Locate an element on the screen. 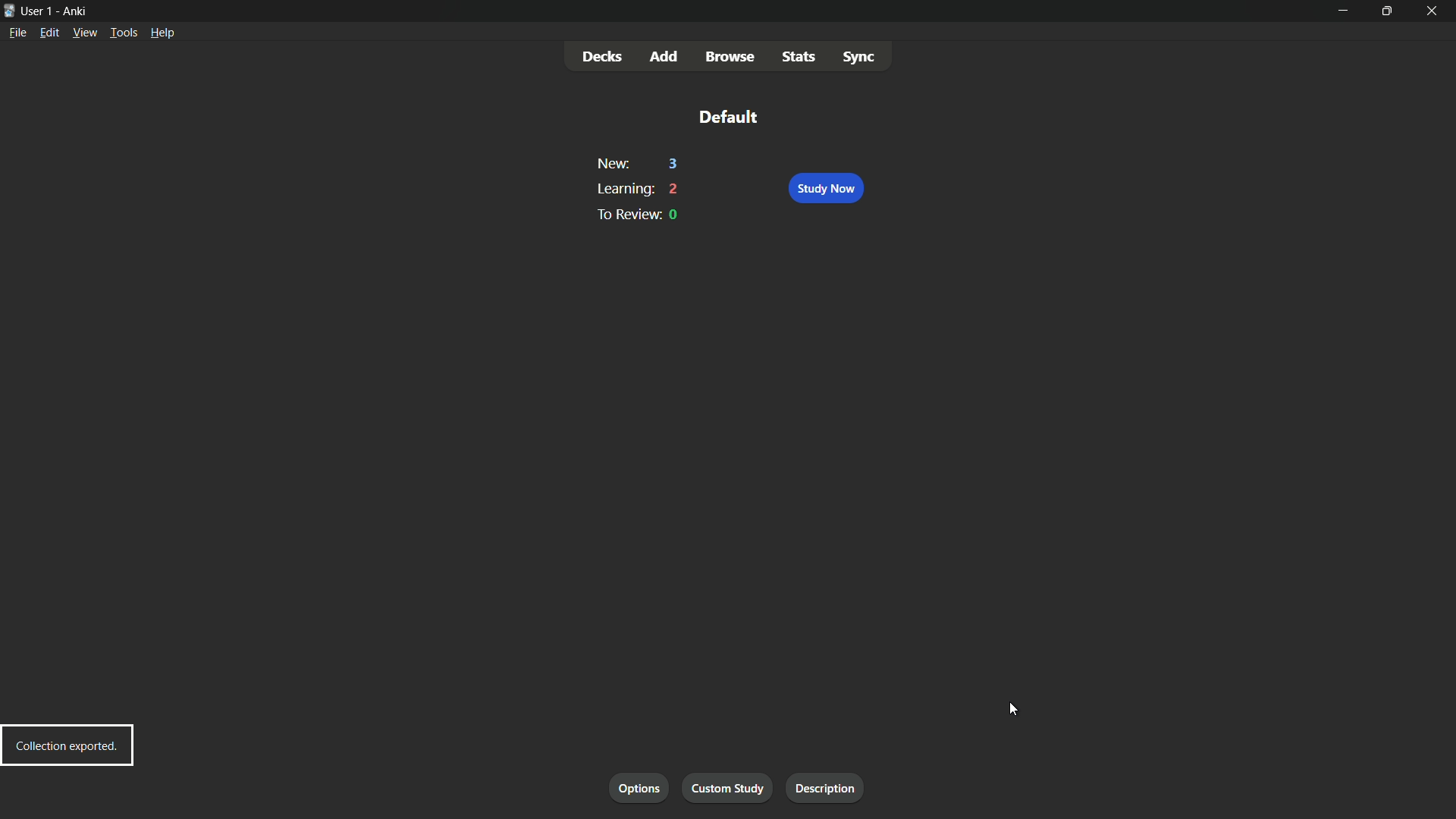 This screenshot has height=819, width=1456. app icon is located at coordinates (9, 11).